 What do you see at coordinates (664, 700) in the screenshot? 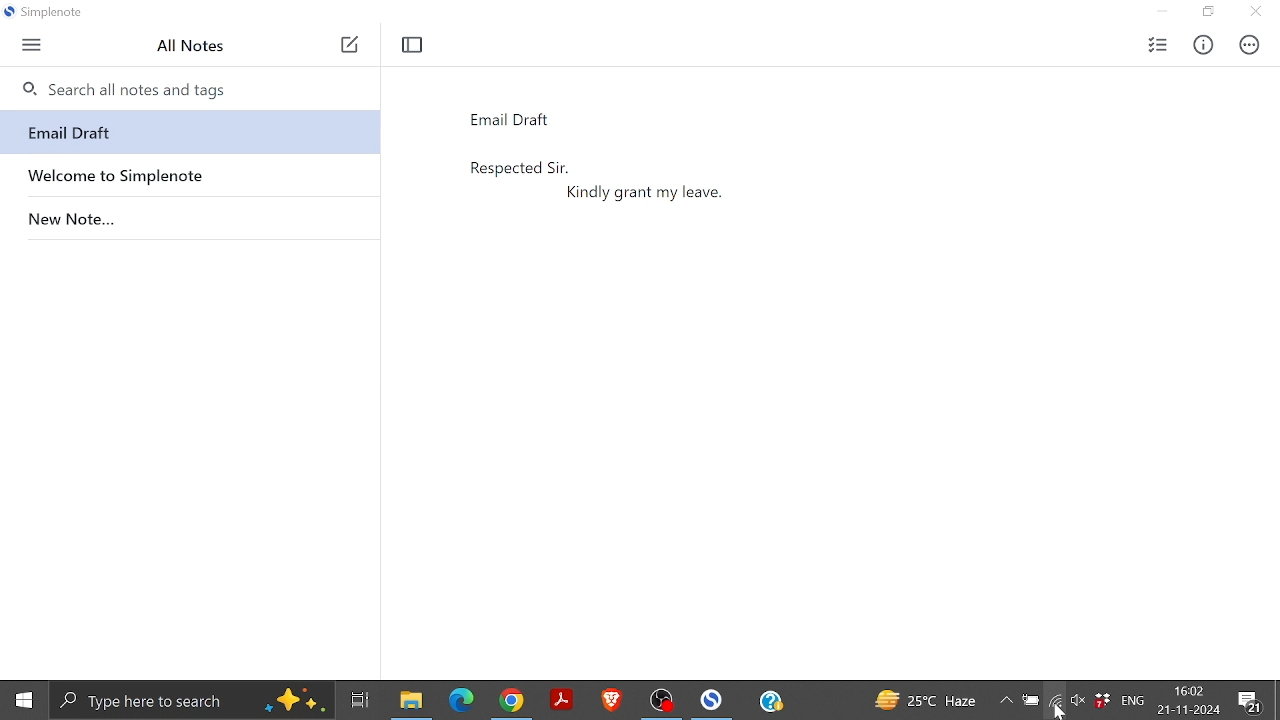
I see `OBS studio` at bounding box center [664, 700].